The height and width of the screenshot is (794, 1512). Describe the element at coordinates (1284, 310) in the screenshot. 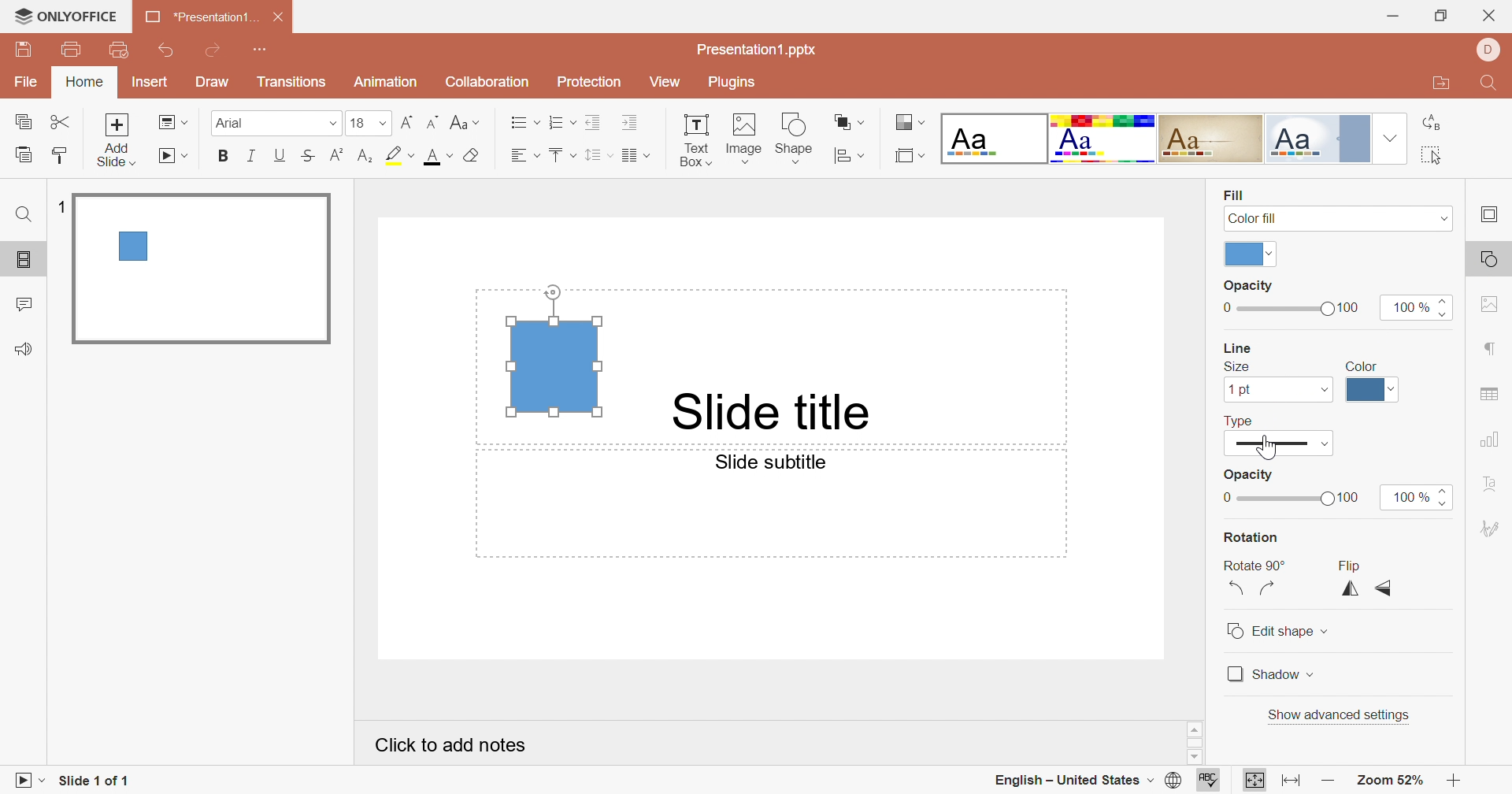

I see `Slider` at that location.